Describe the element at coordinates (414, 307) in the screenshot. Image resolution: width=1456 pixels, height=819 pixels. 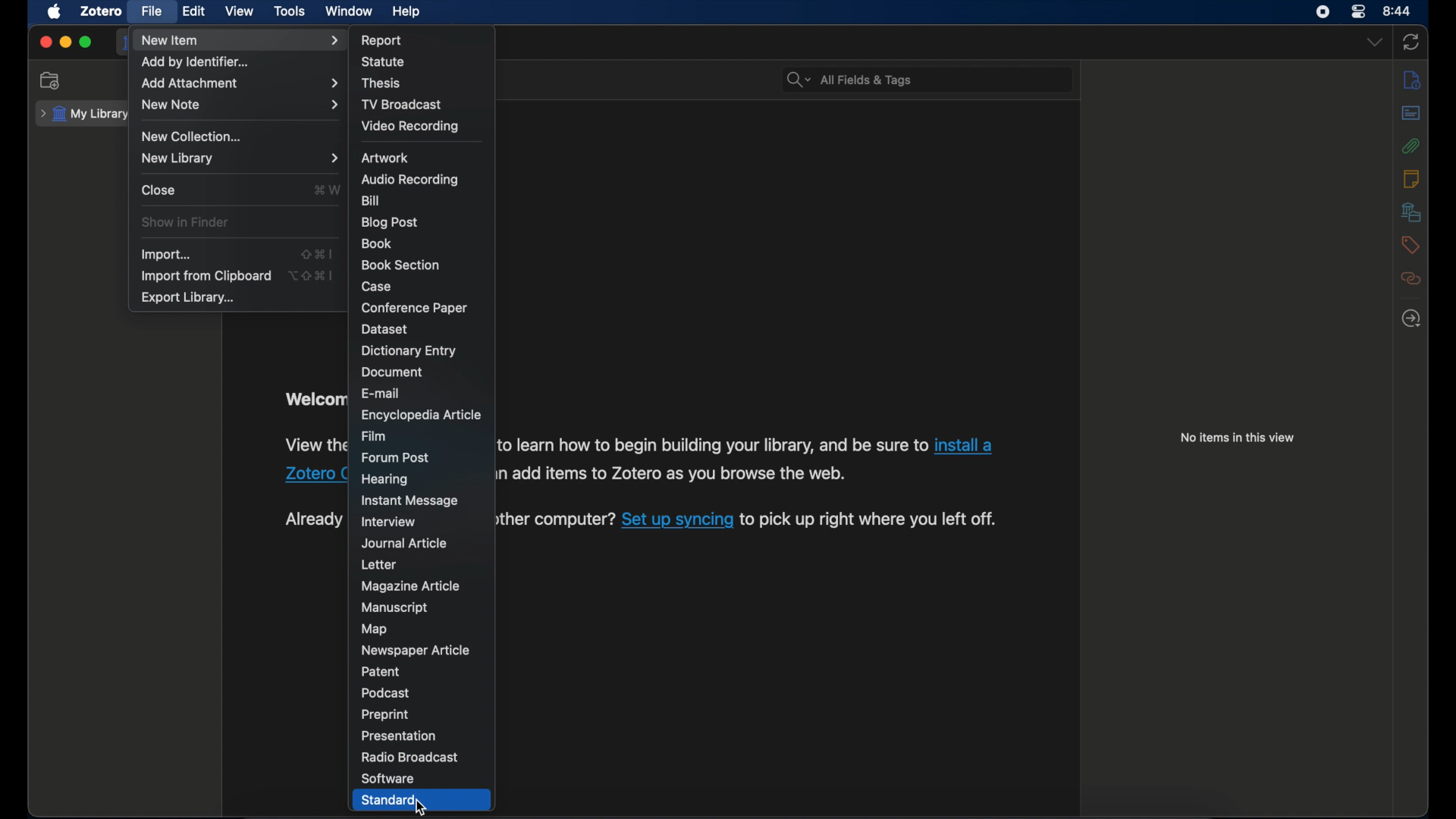
I see `conference paper` at that location.